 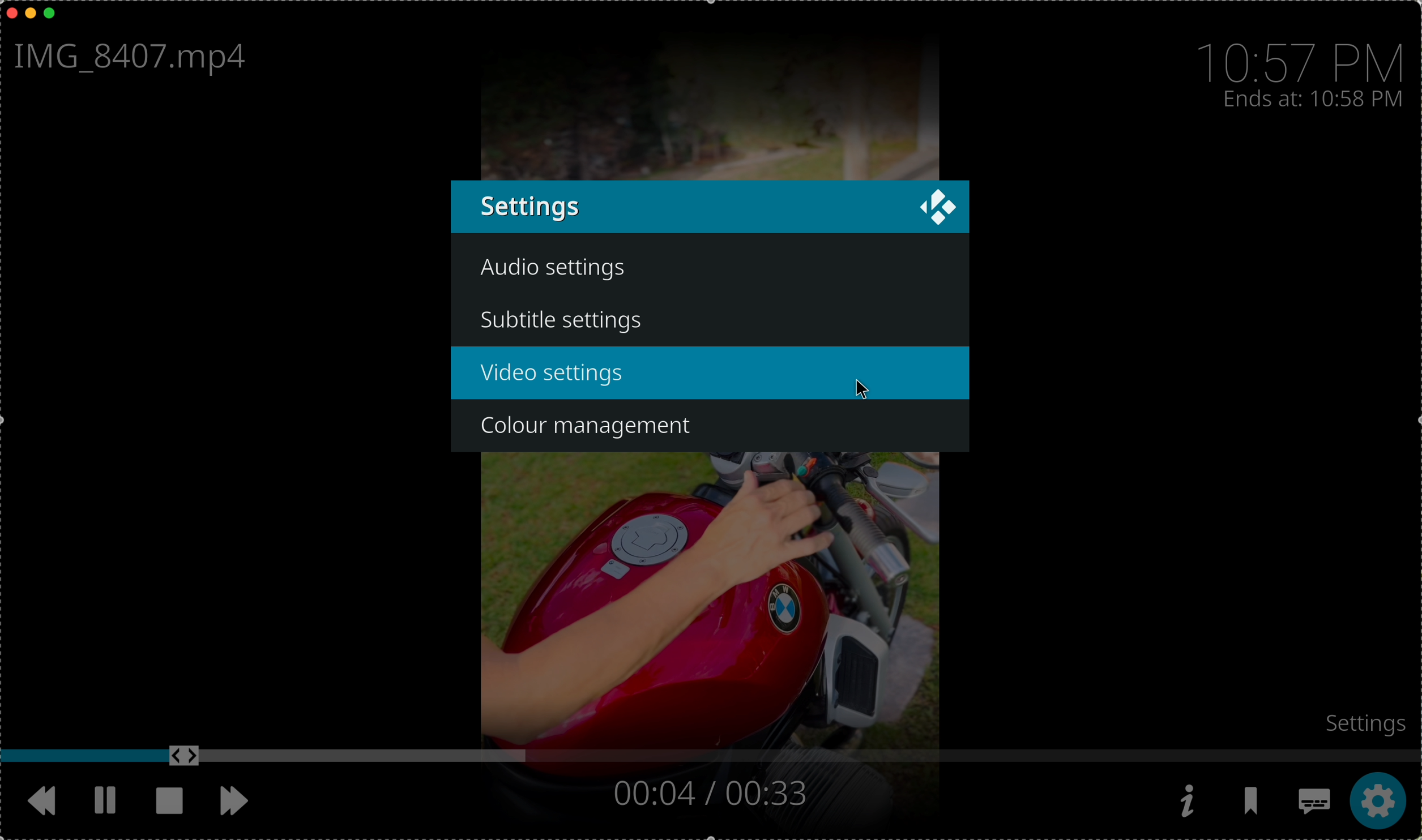 What do you see at coordinates (710, 373) in the screenshot?
I see `video settings` at bounding box center [710, 373].